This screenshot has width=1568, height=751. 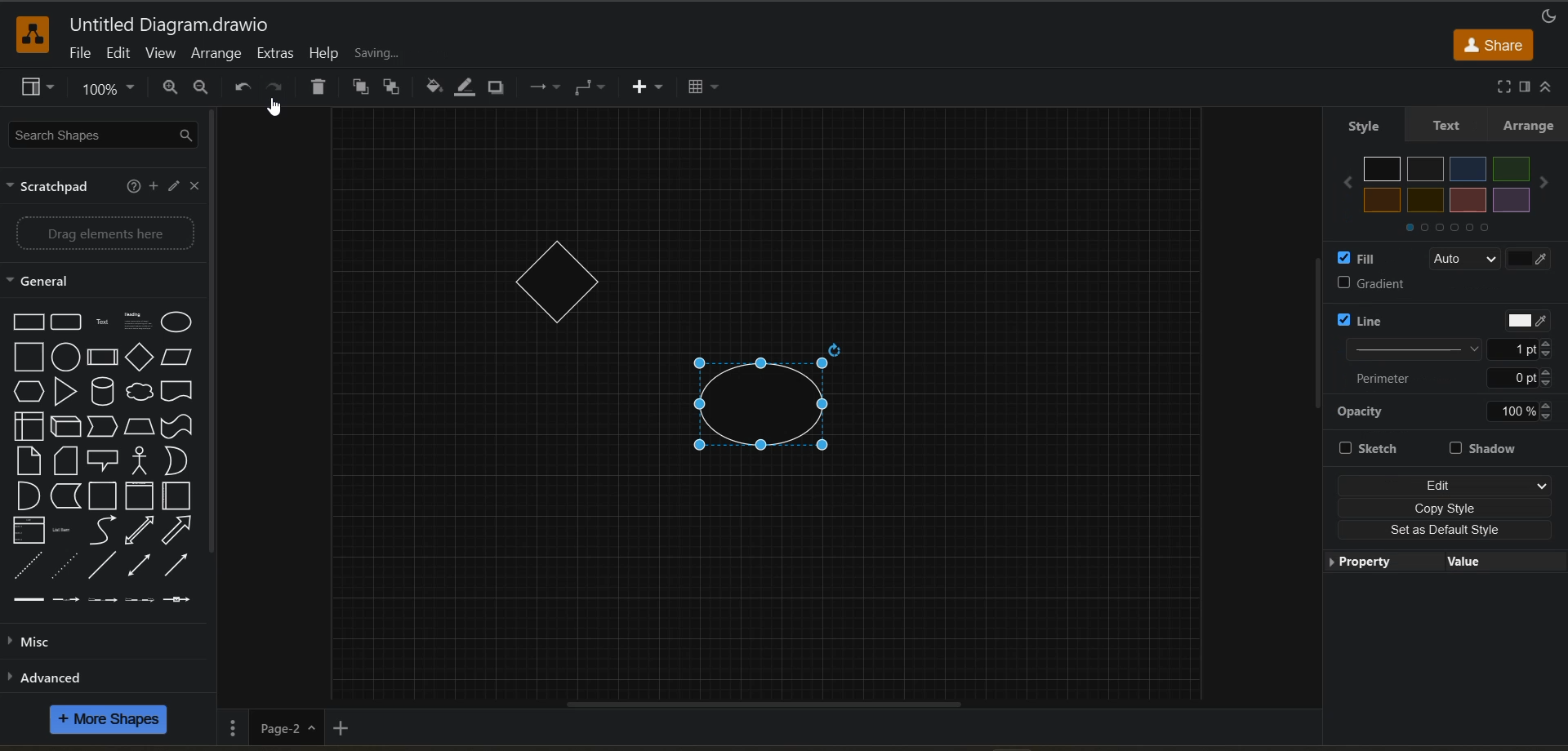 I want to click on property, so click(x=1372, y=563).